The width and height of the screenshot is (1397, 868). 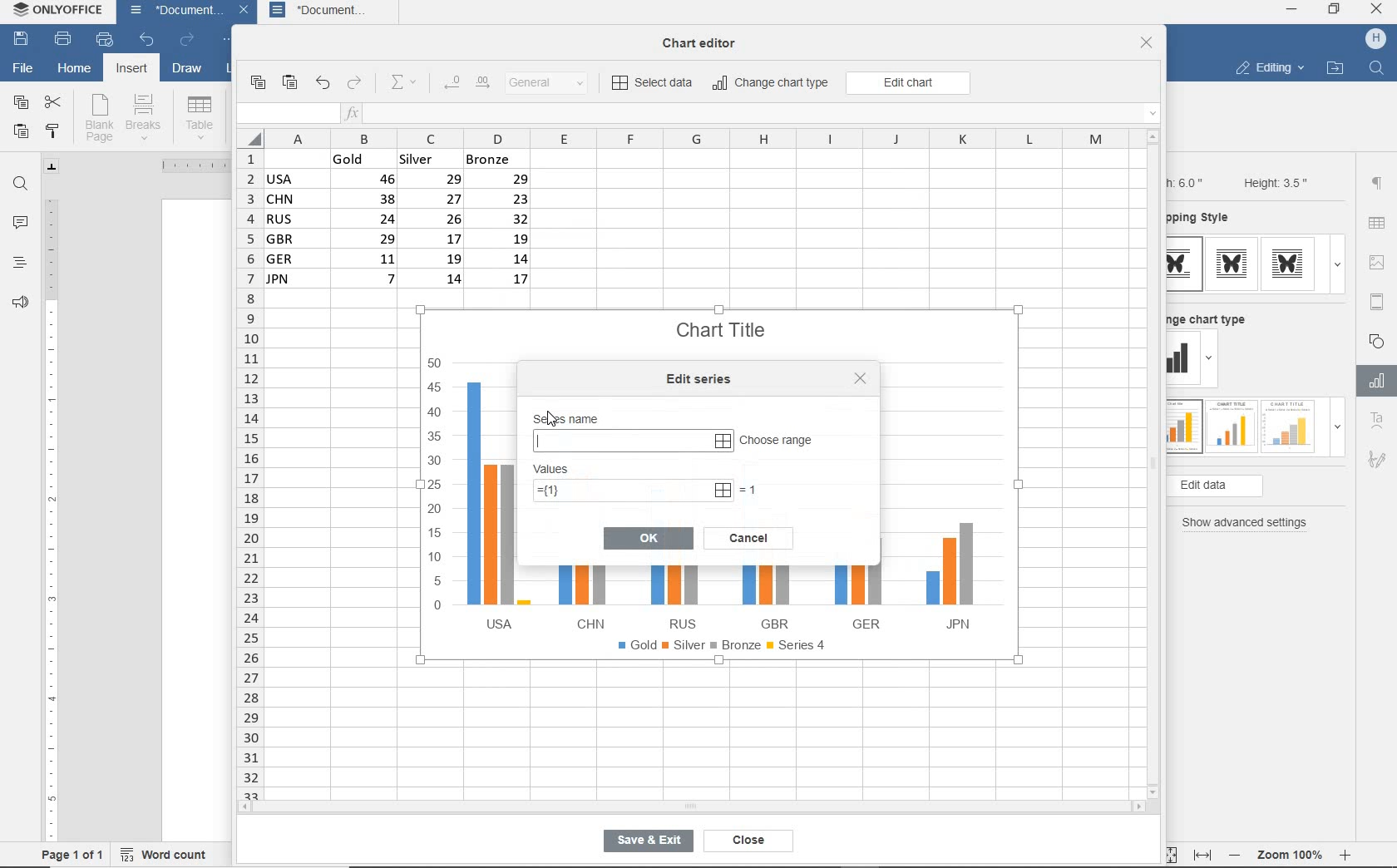 I want to click on horizontal scroll bar, so click(x=690, y=806).